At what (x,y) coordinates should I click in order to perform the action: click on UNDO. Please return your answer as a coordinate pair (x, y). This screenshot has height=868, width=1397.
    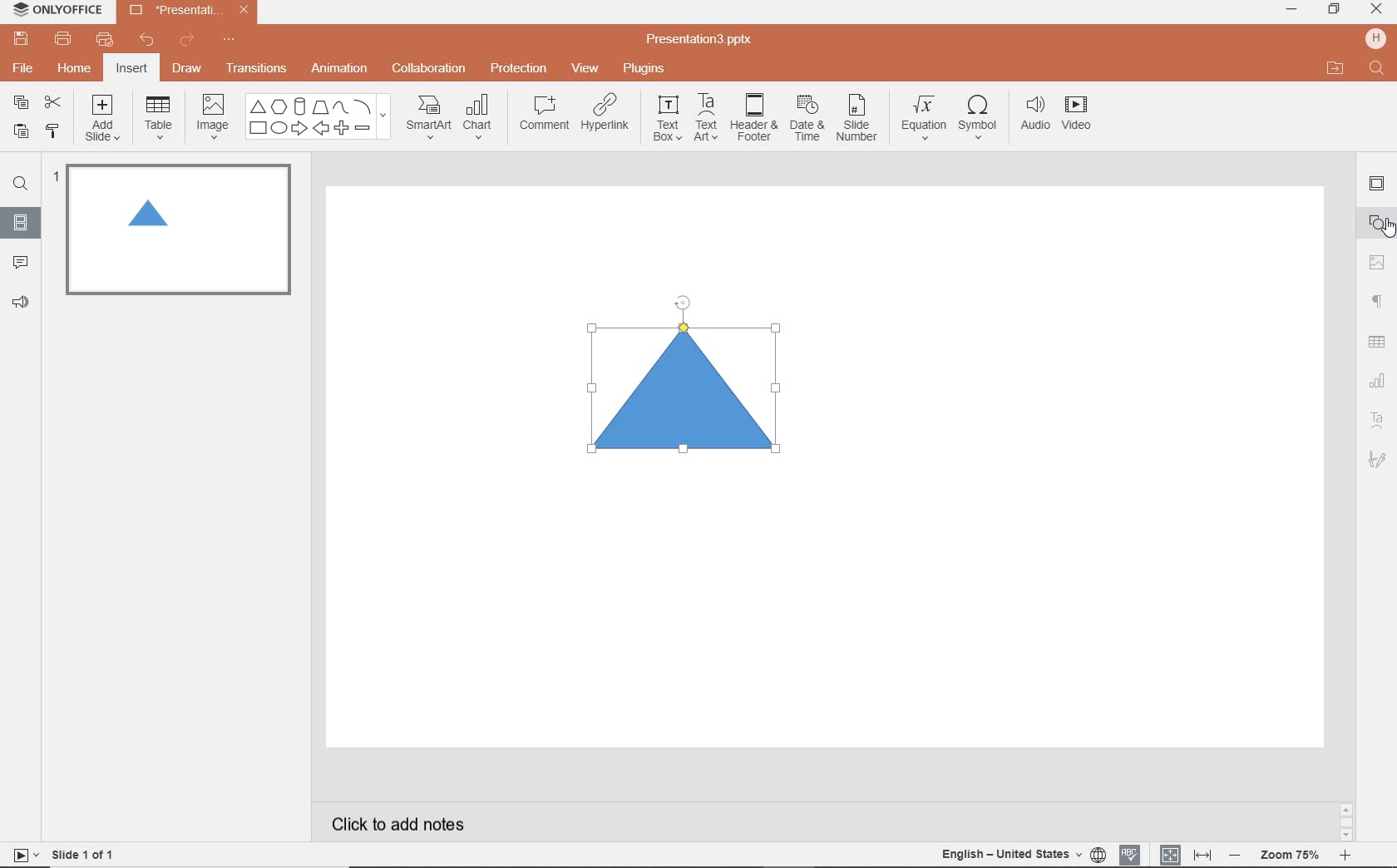
    Looking at the image, I should click on (148, 41).